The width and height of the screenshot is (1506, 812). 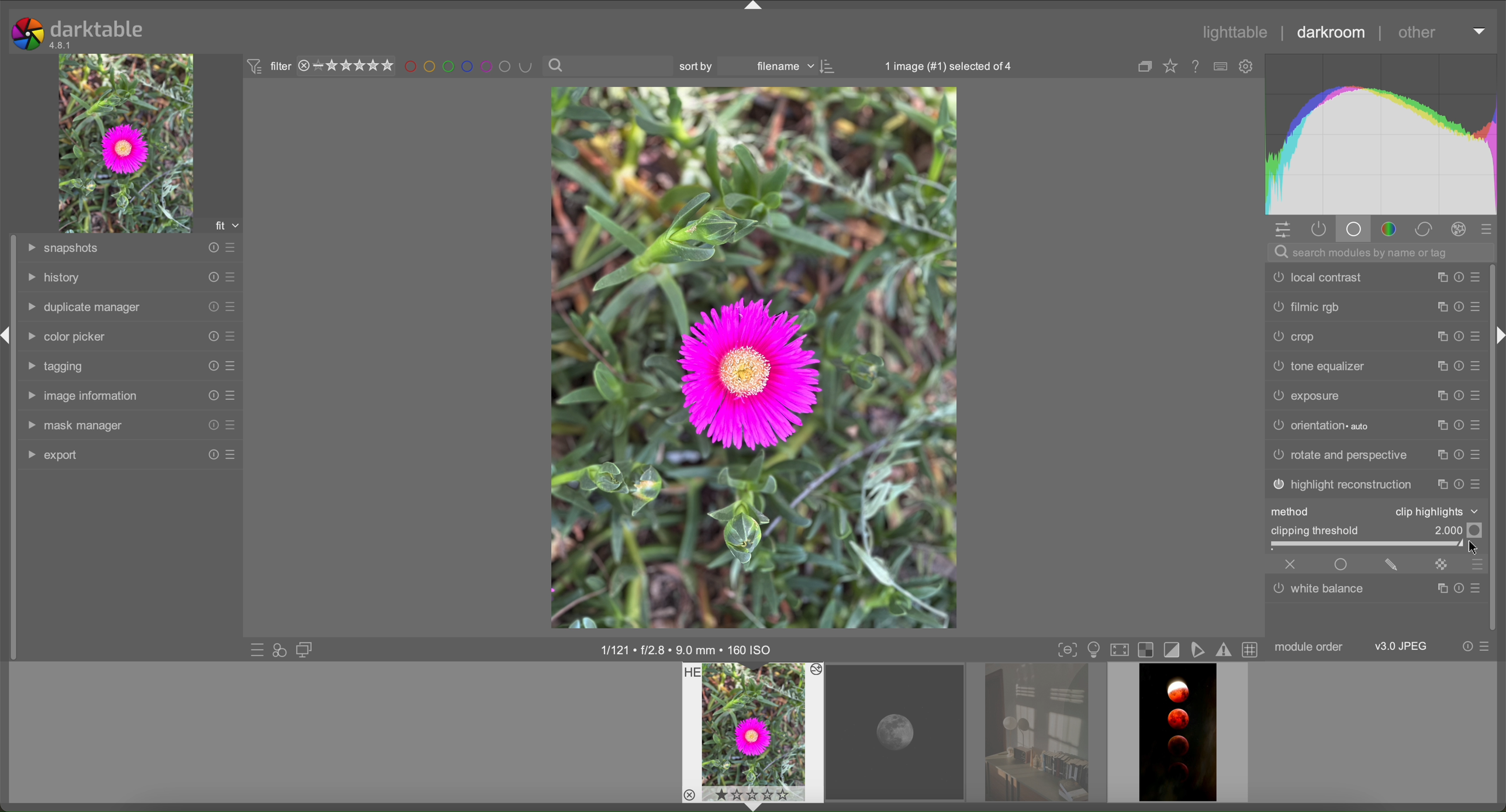 I want to click on presets, so click(x=1479, y=455).